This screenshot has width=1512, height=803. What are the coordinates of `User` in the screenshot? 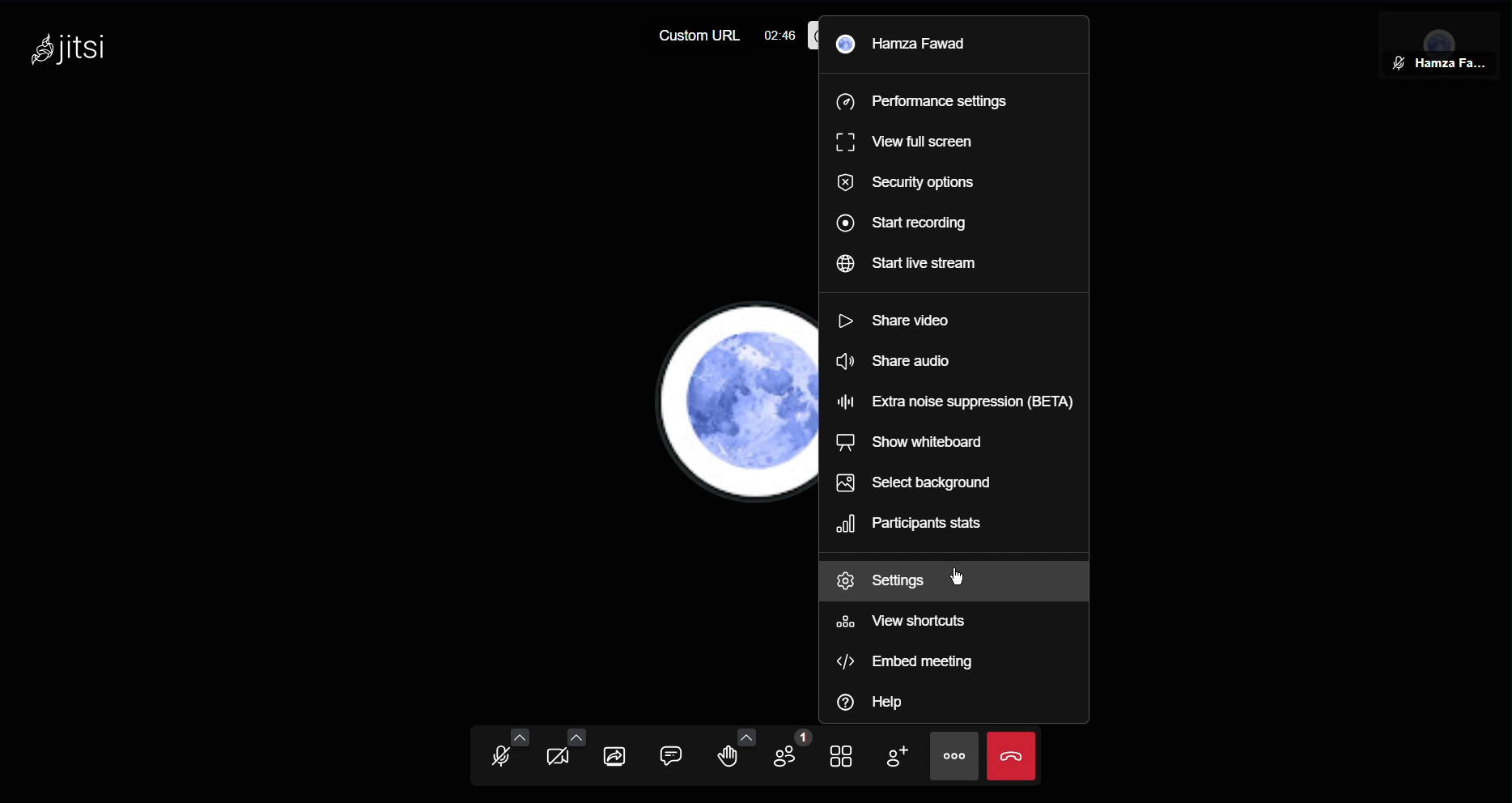 It's located at (915, 45).